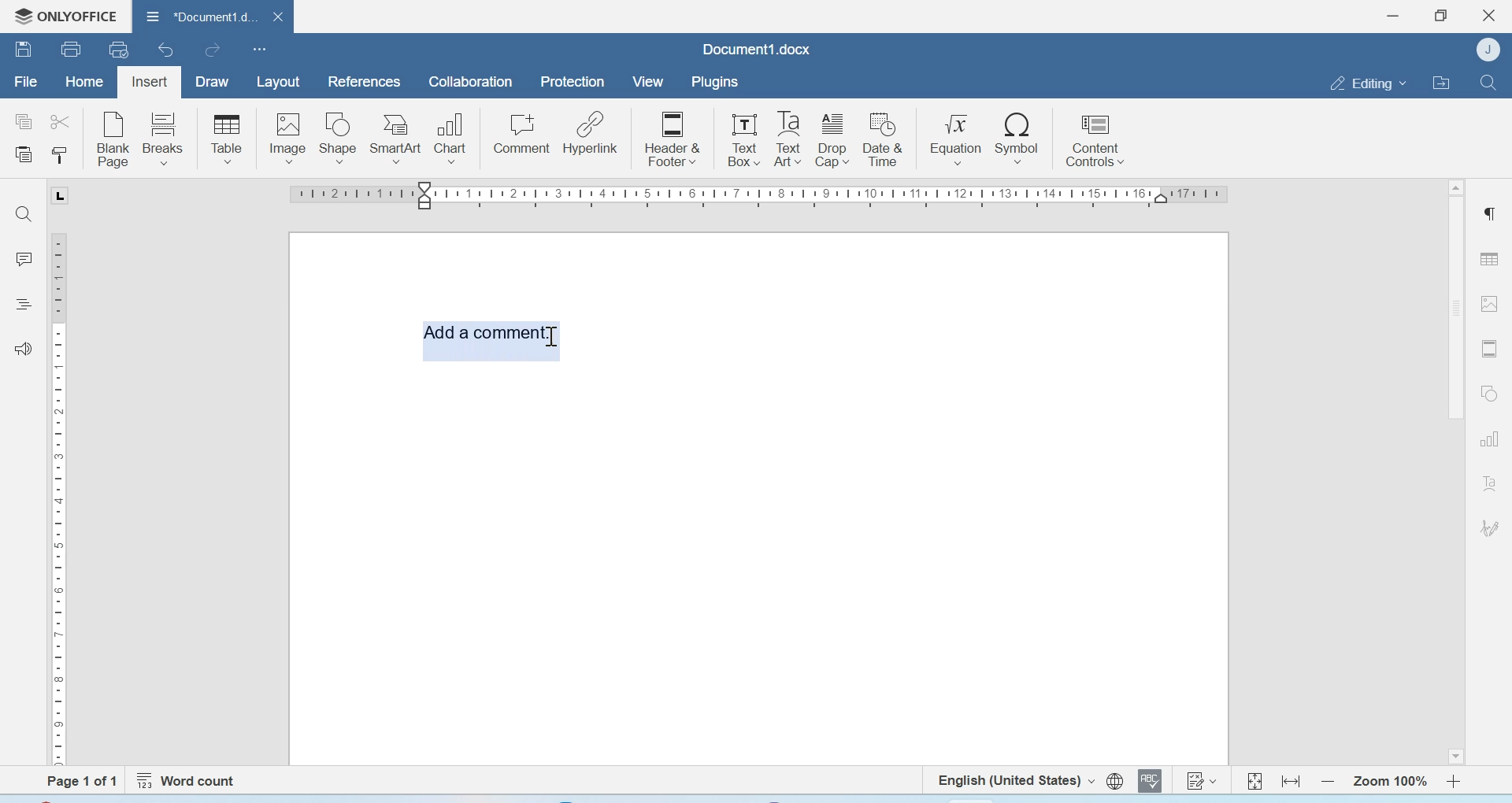 This screenshot has width=1512, height=803. I want to click on Minimize, so click(1395, 16).